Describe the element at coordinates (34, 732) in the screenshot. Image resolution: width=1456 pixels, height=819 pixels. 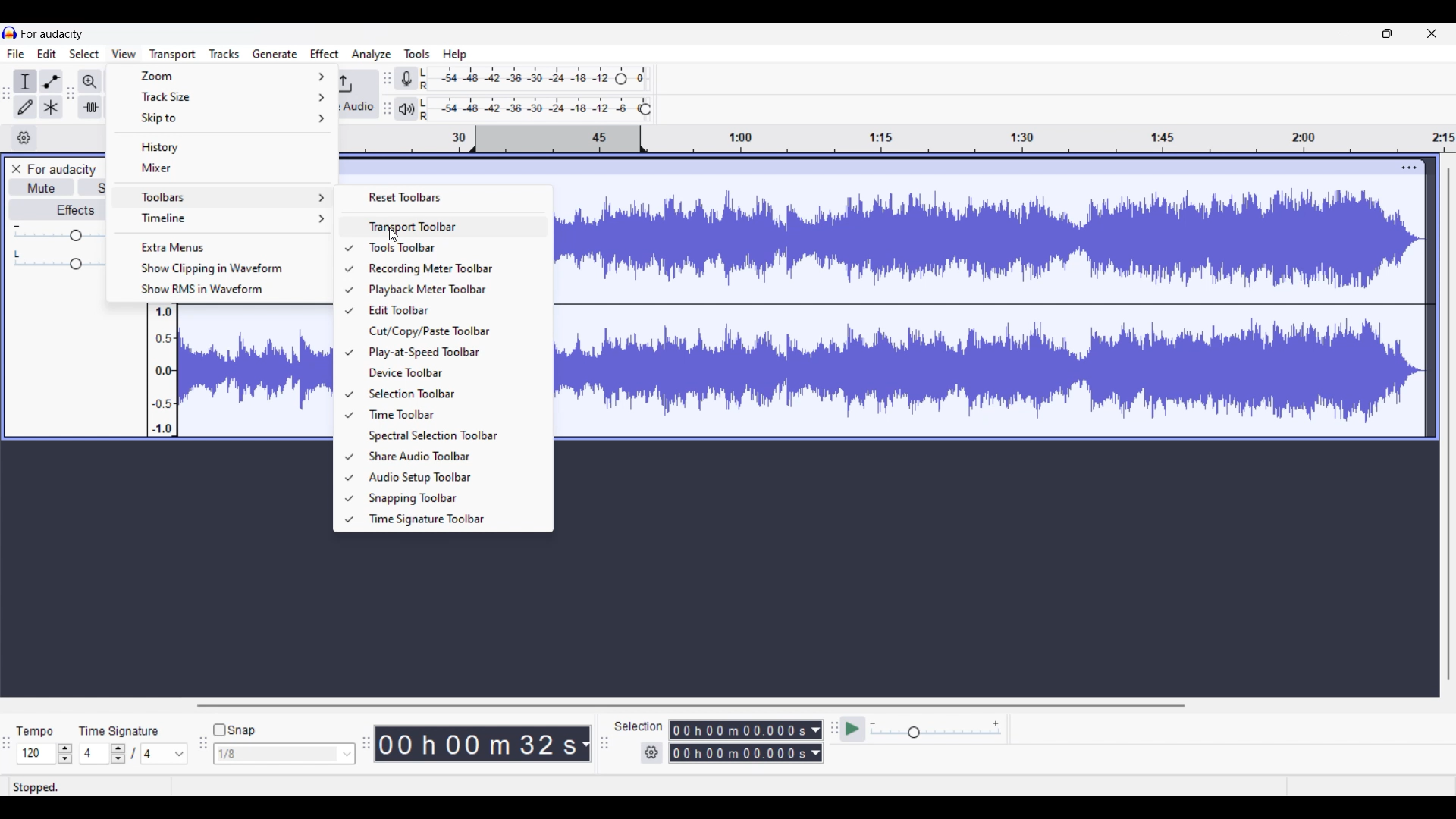
I see `Indicates Tempo settings` at that location.